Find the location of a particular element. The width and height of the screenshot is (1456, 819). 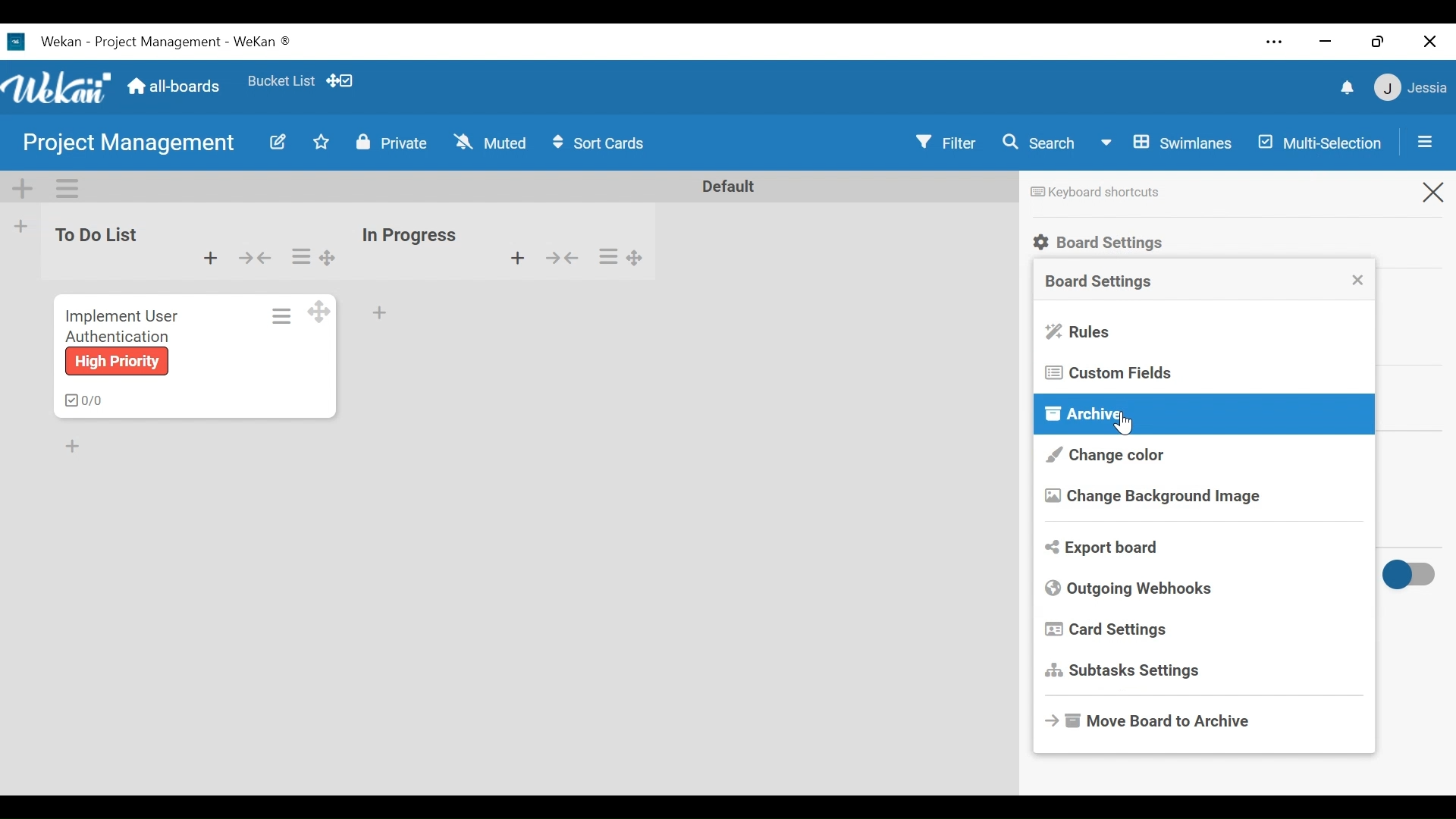

show/hide Desktop drag handles is located at coordinates (340, 80).